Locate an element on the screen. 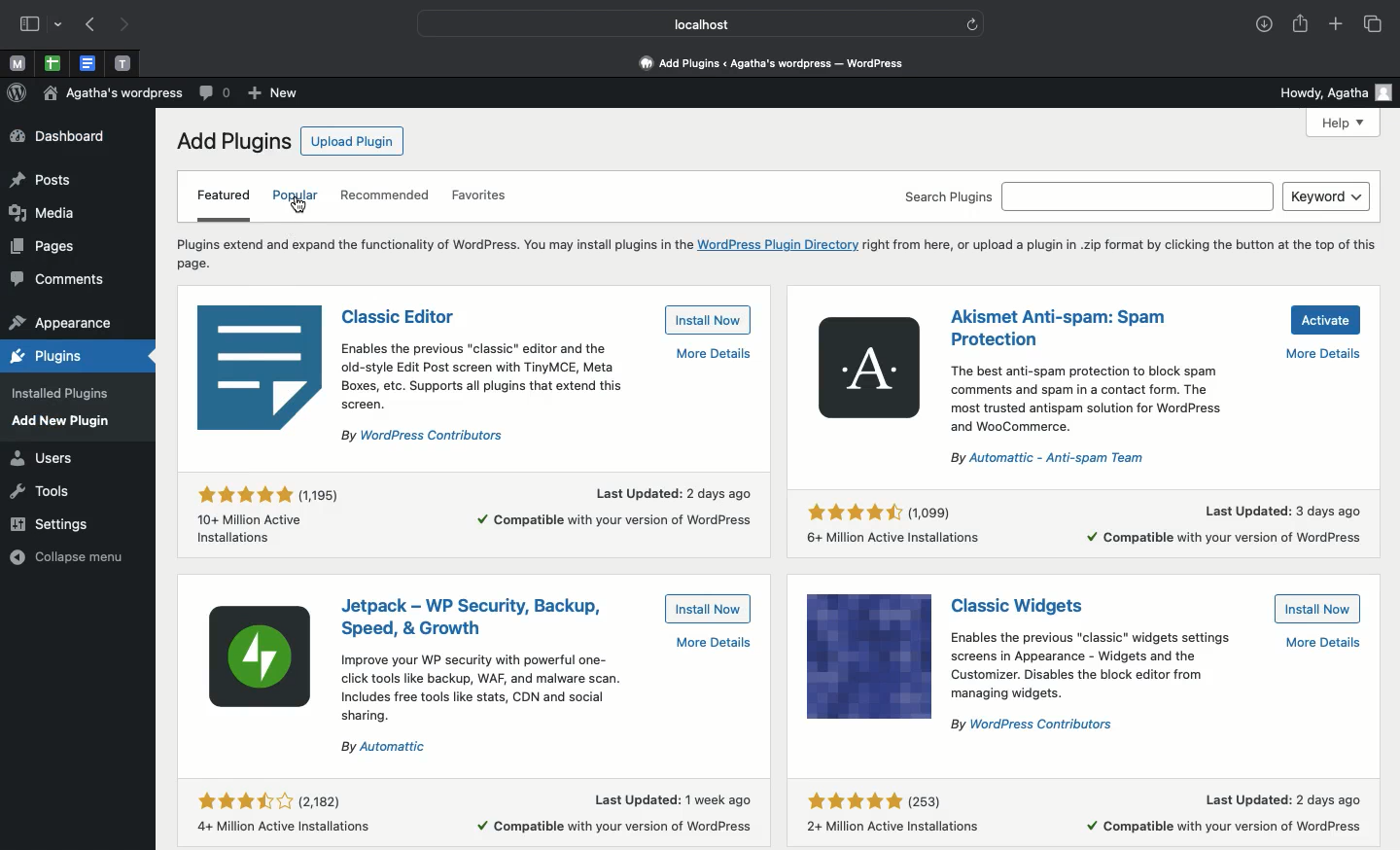 The height and width of the screenshot is (850, 1400). posts is located at coordinates (42, 181).